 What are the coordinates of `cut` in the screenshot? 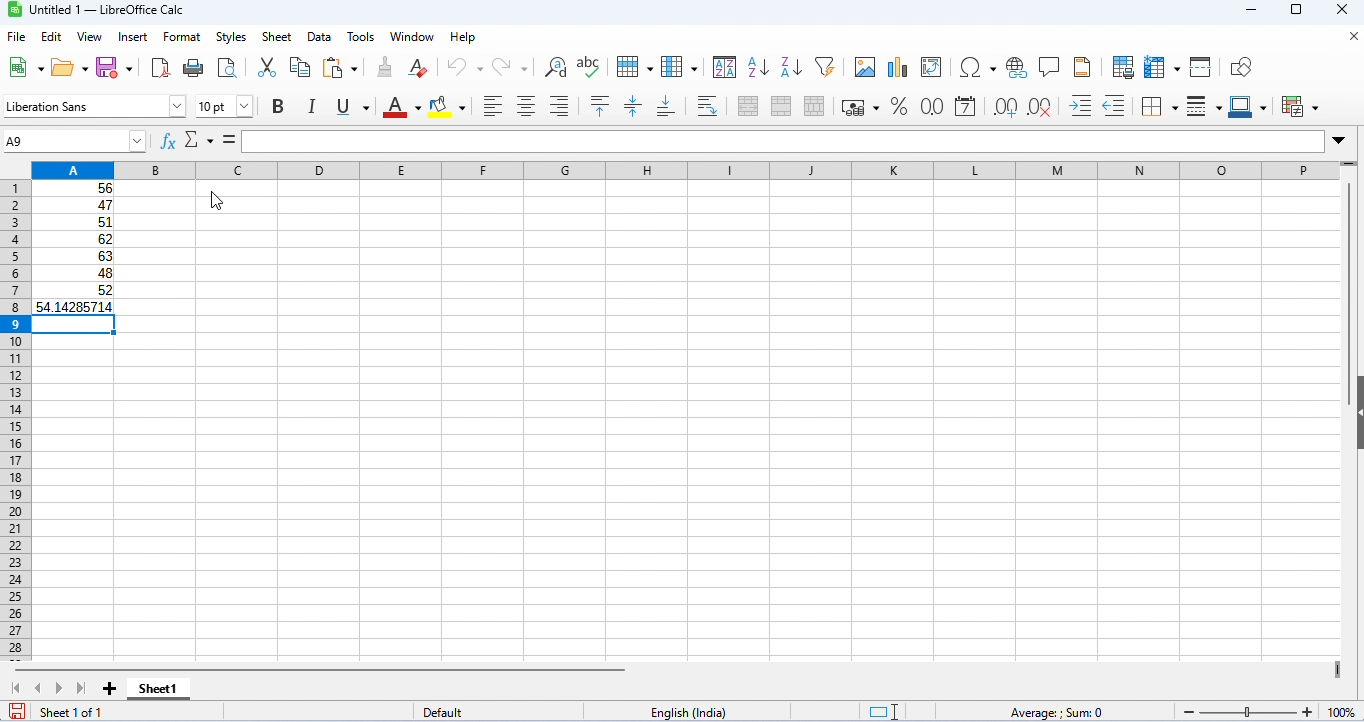 It's located at (266, 66).